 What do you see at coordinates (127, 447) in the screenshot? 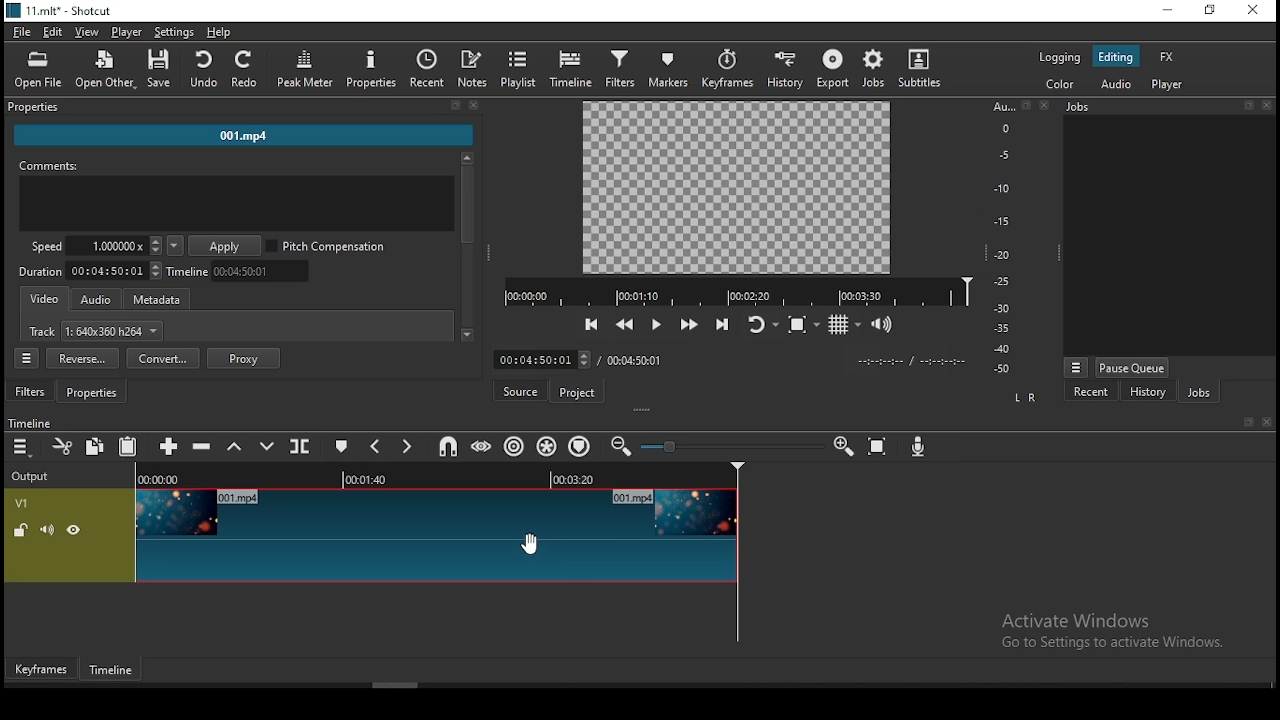
I see `paste` at bounding box center [127, 447].